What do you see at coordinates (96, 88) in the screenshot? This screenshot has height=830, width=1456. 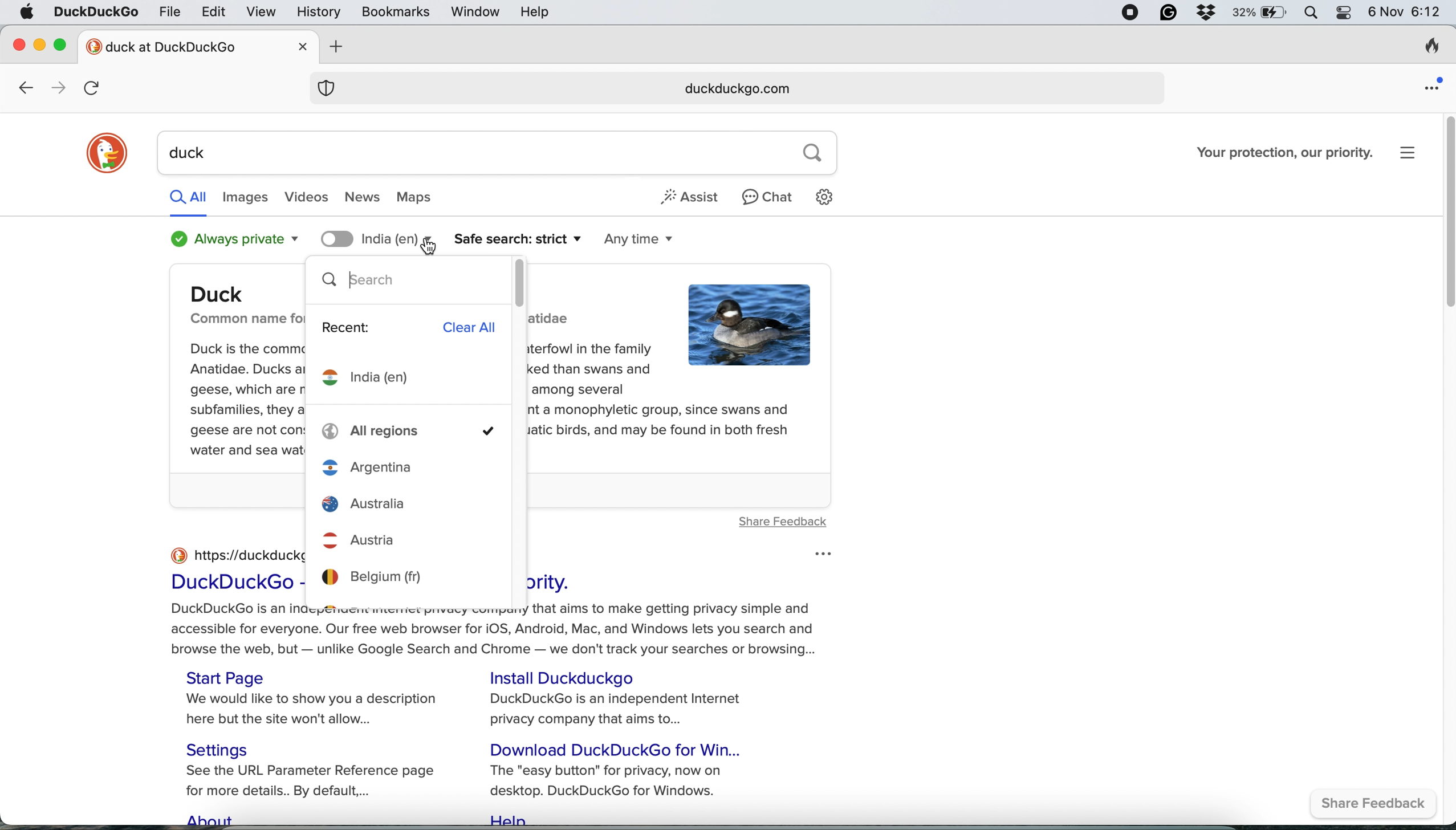 I see `refresh` at bounding box center [96, 88].